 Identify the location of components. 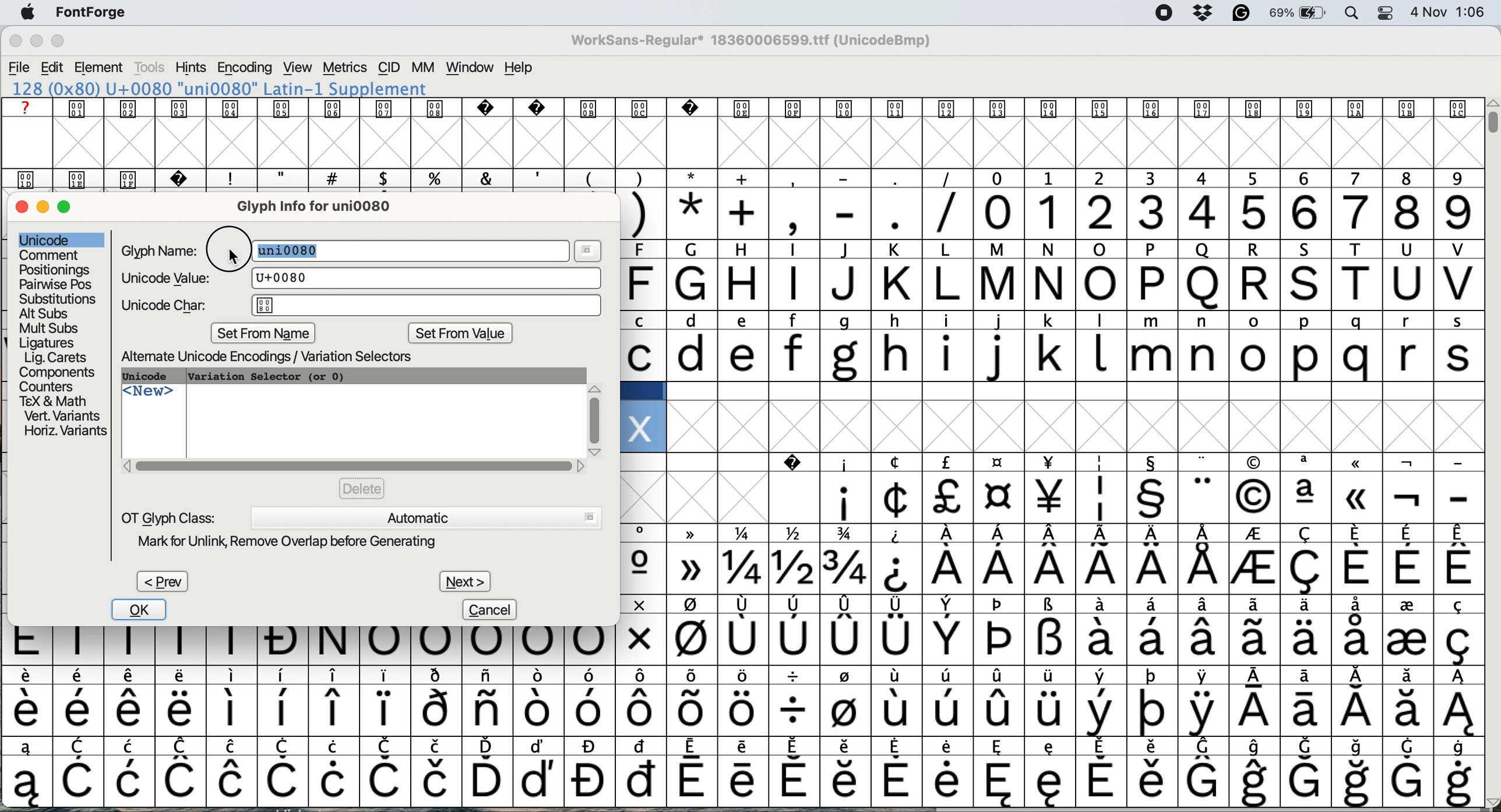
(61, 372).